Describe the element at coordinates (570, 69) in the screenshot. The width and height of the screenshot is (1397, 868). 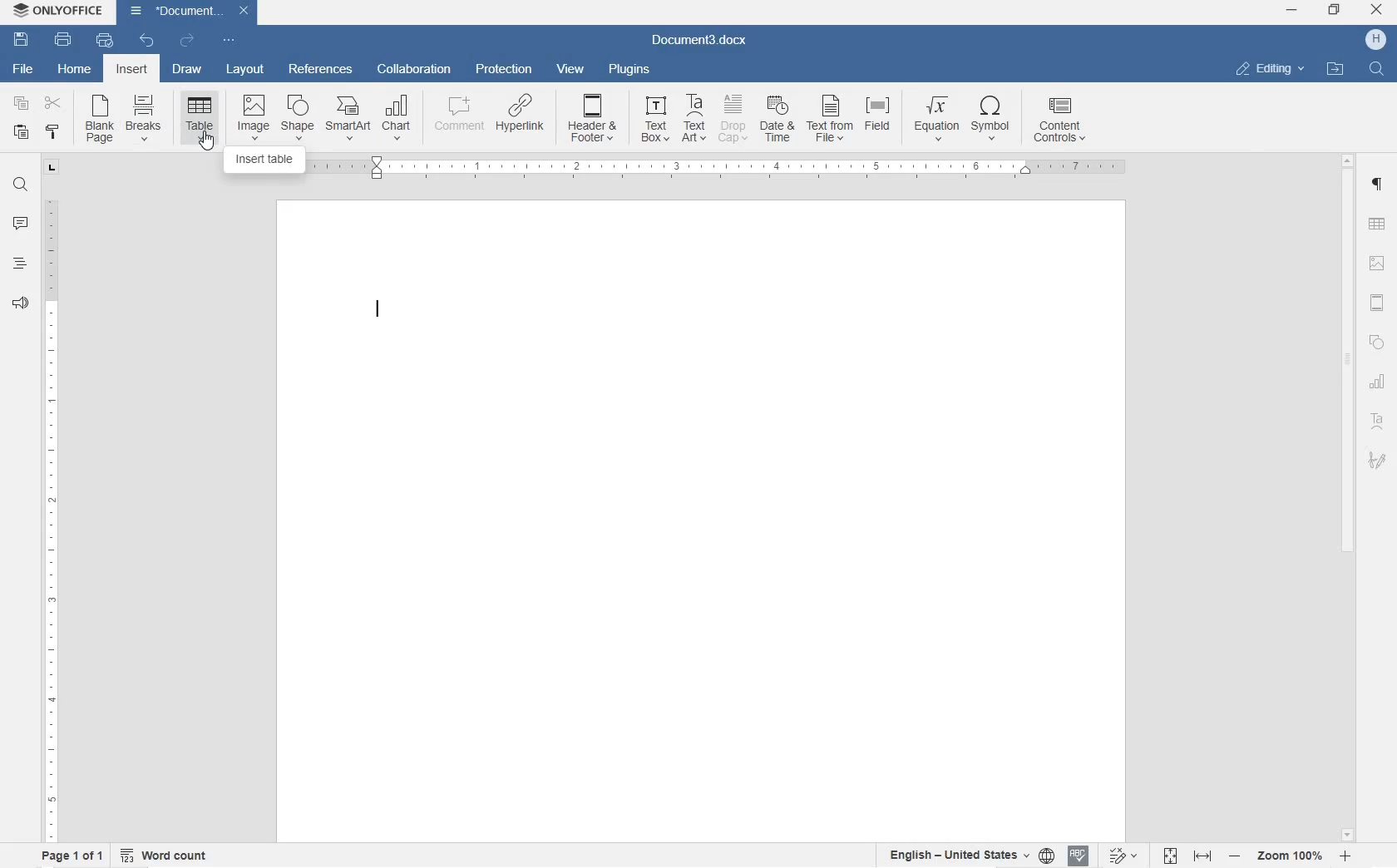
I see `VIEW` at that location.